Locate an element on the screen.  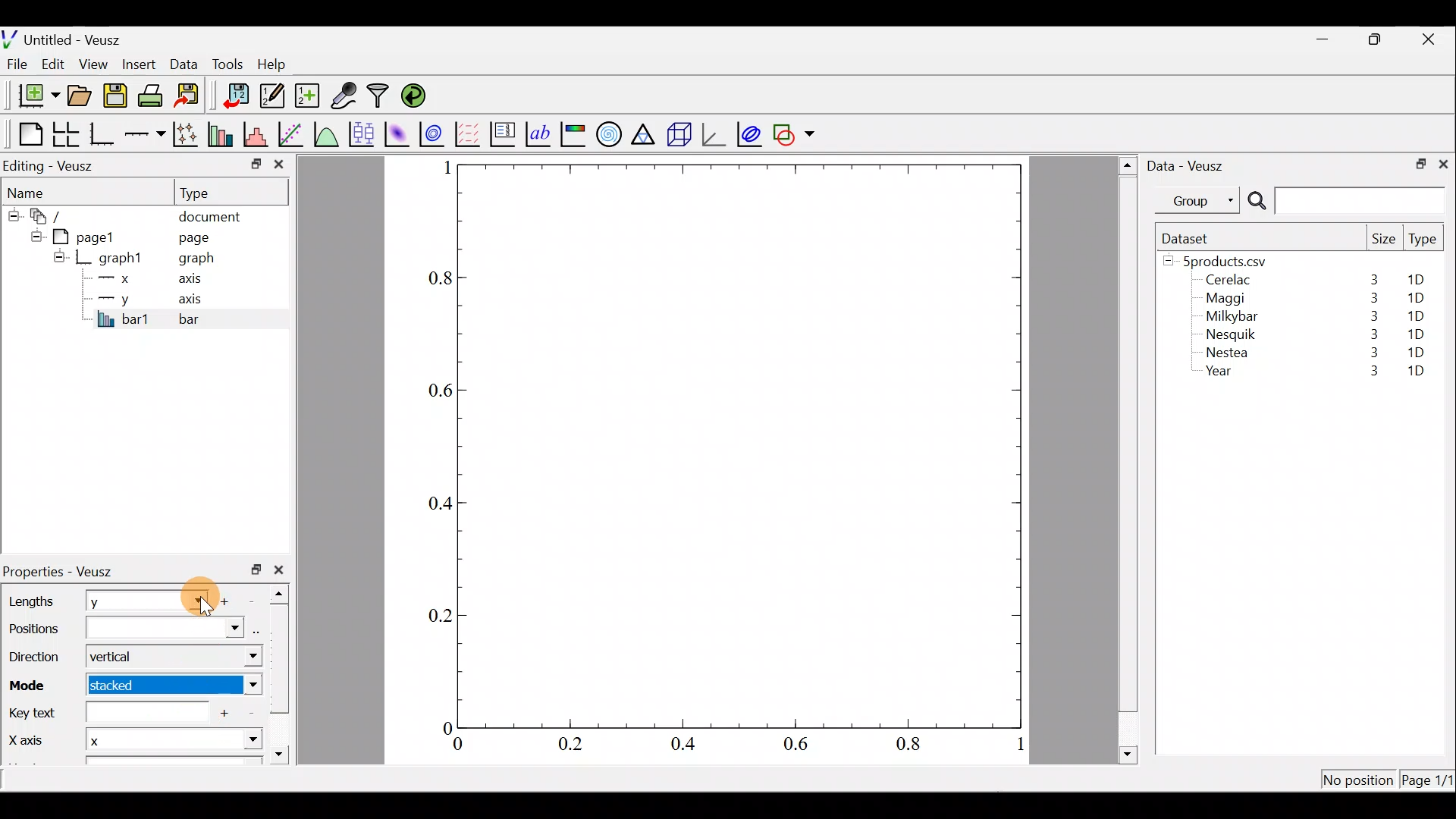
New document is located at coordinates (33, 96).